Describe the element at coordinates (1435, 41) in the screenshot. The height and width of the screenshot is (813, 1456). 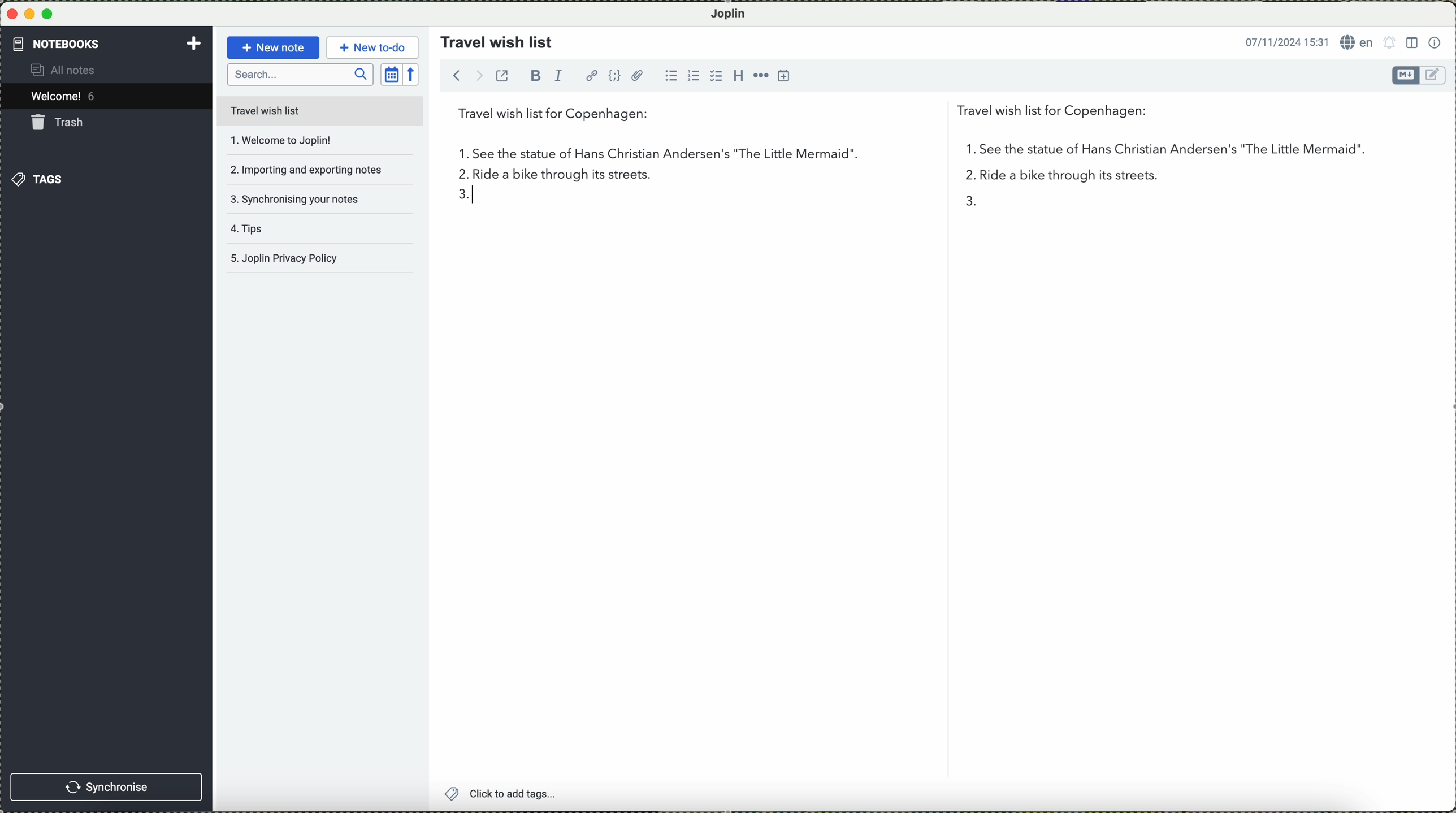
I see `note properties` at that location.